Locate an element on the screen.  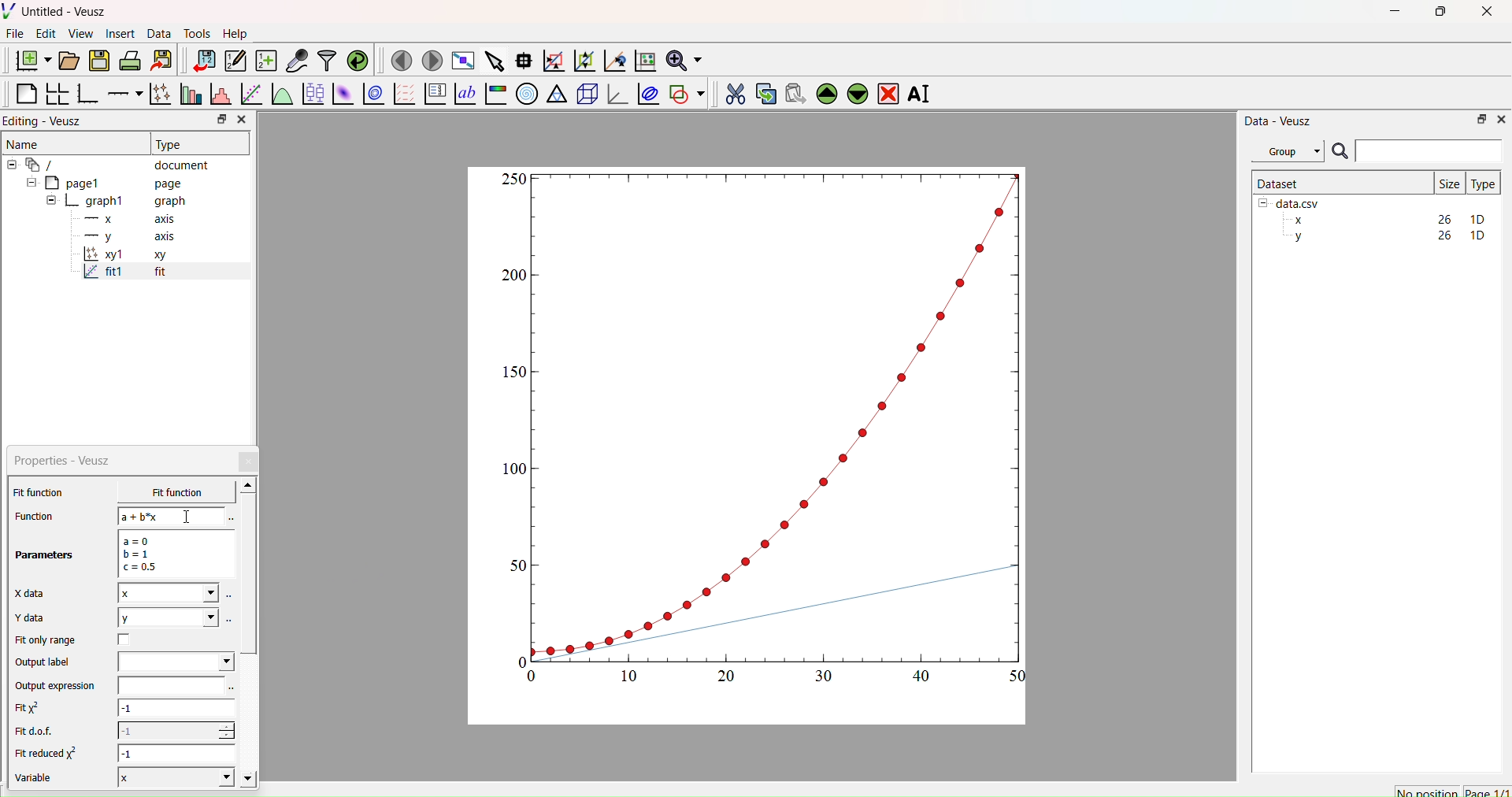
Insert is located at coordinates (123, 33).